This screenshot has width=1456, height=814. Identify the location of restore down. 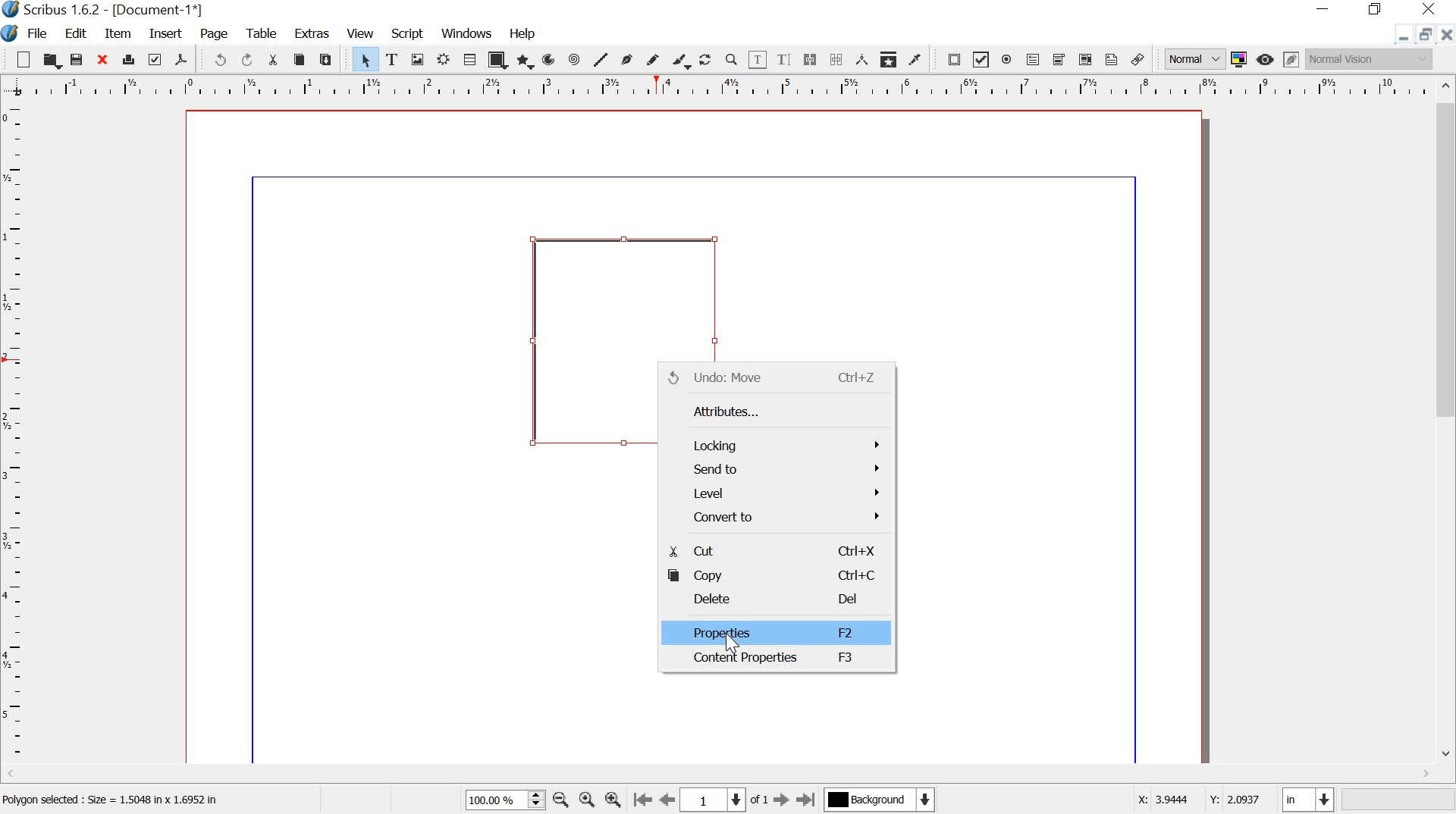
(1425, 34).